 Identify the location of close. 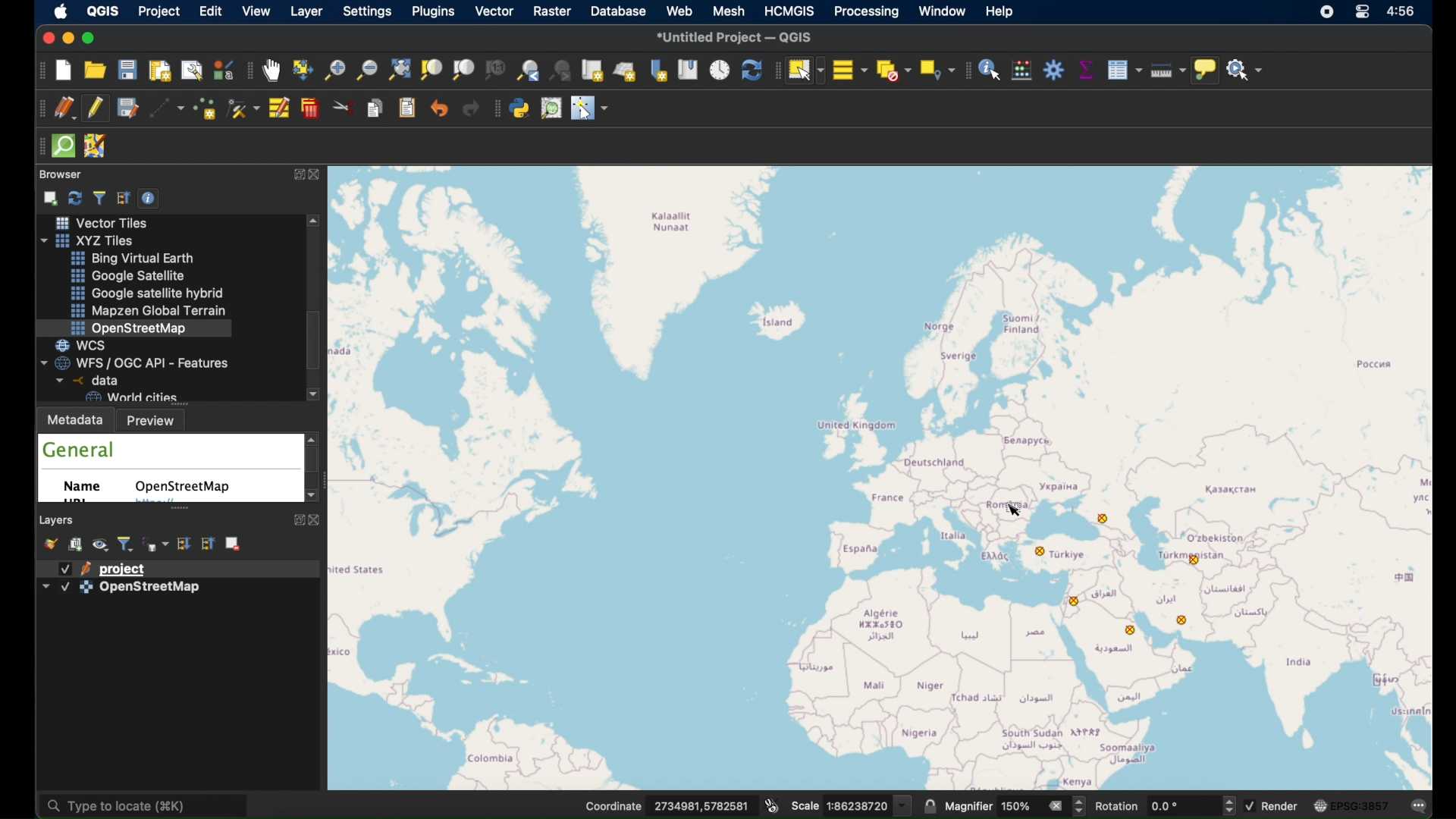
(315, 520).